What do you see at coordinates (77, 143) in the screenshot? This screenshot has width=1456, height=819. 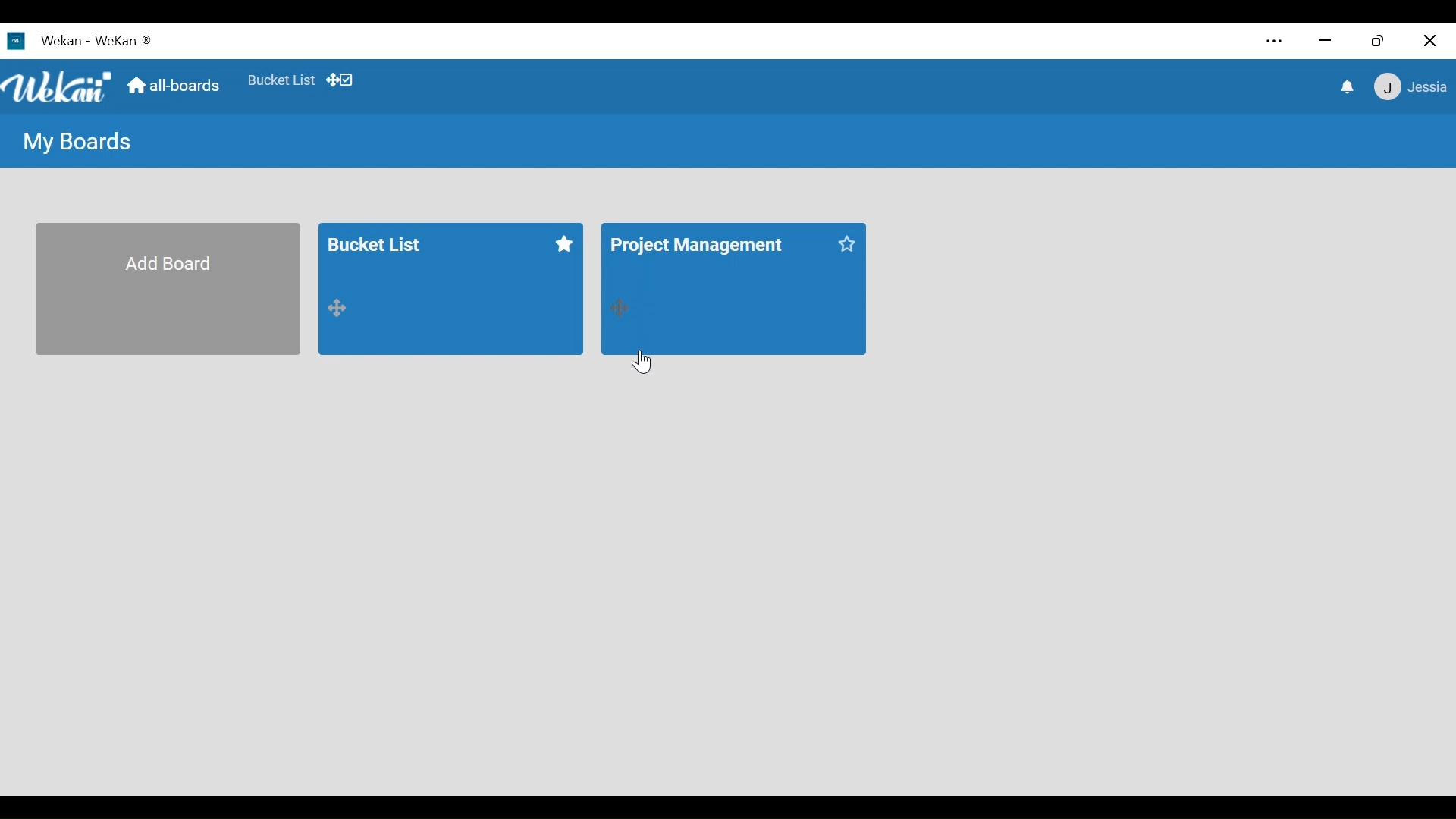 I see `My Board` at bounding box center [77, 143].